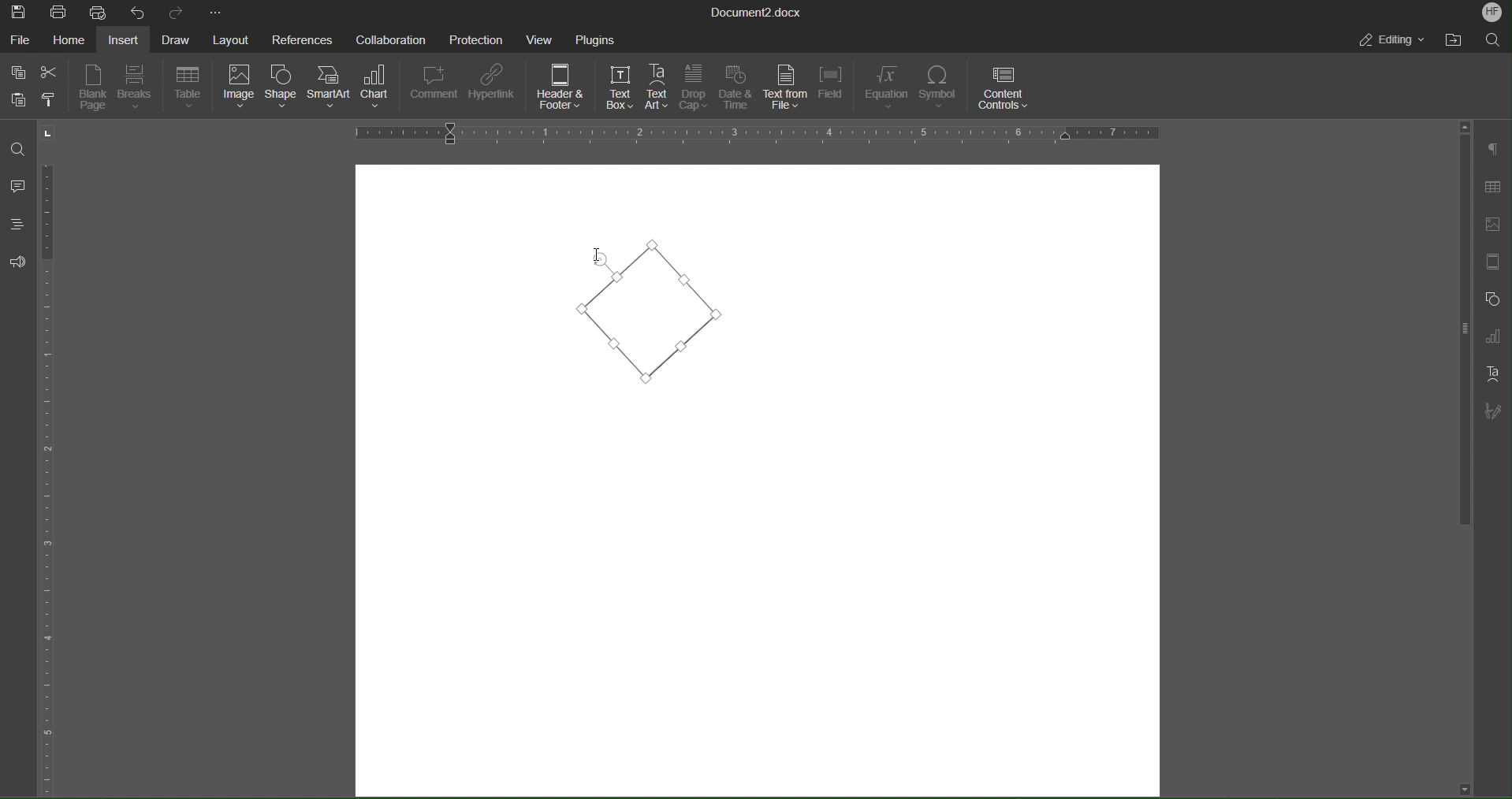 The width and height of the screenshot is (1512, 799). What do you see at coordinates (54, 100) in the screenshot?
I see `Copy Style` at bounding box center [54, 100].